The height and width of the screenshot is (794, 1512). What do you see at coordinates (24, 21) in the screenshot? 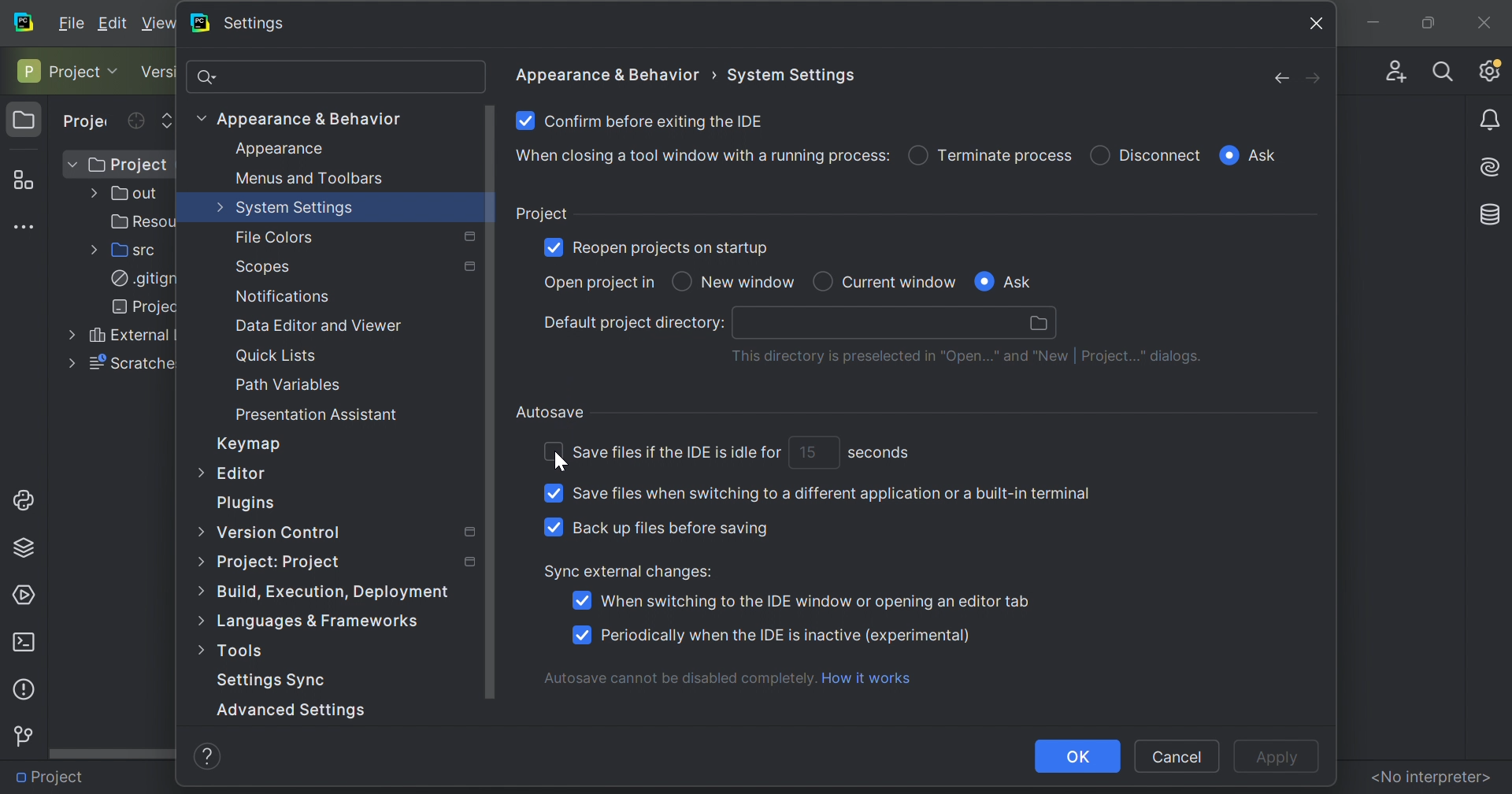
I see `PyCharm` at bounding box center [24, 21].